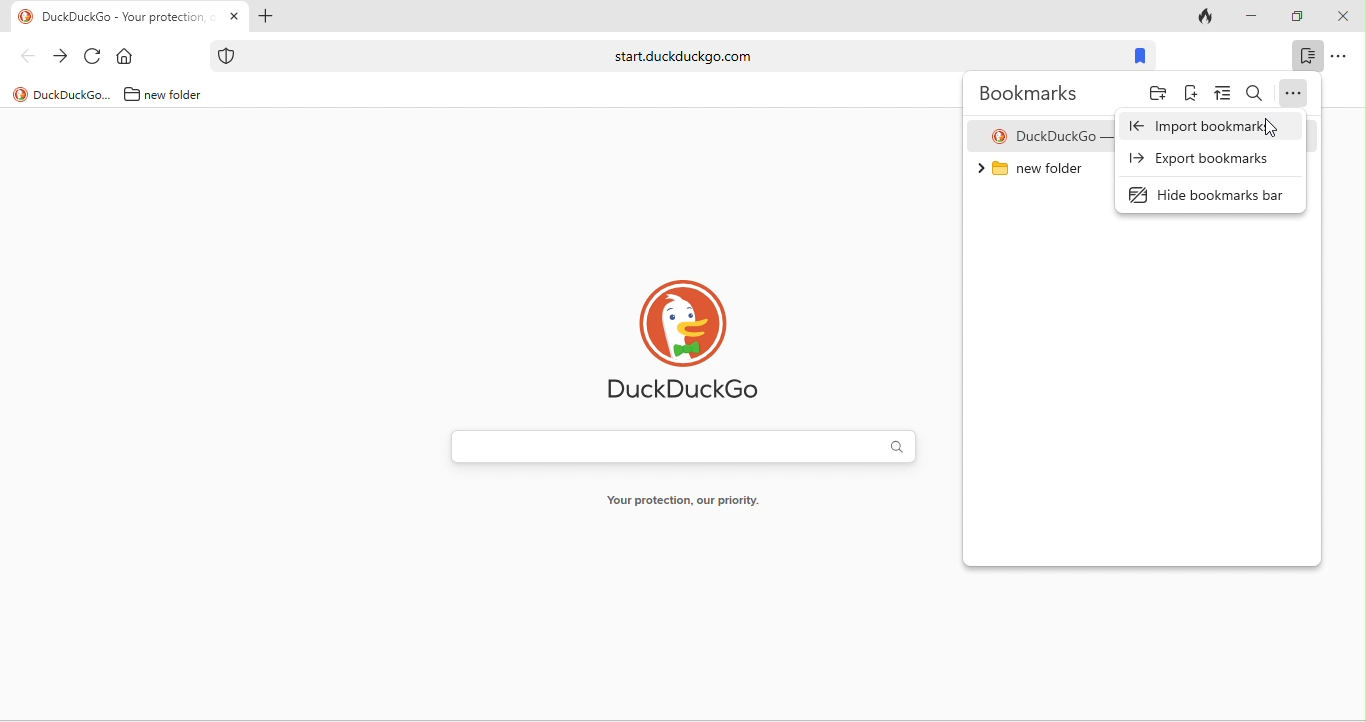 This screenshot has width=1366, height=722. Describe the element at coordinates (1214, 193) in the screenshot. I see `hide bookmarks bar` at that location.